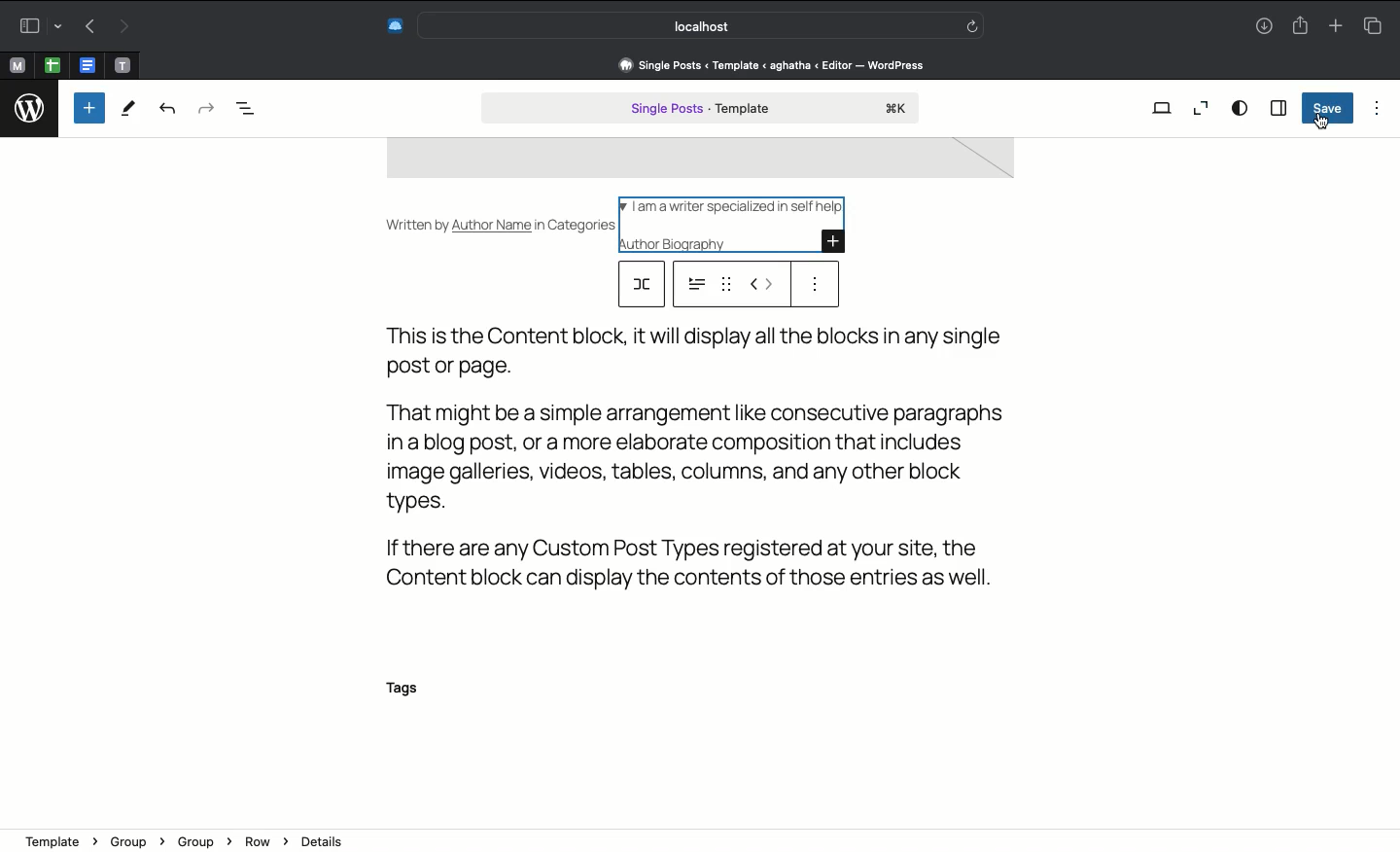 This screenshot has height=852, width=1400. Describe the element at coordinates (769, 64) in the screenshot. I see `Address` at that location.